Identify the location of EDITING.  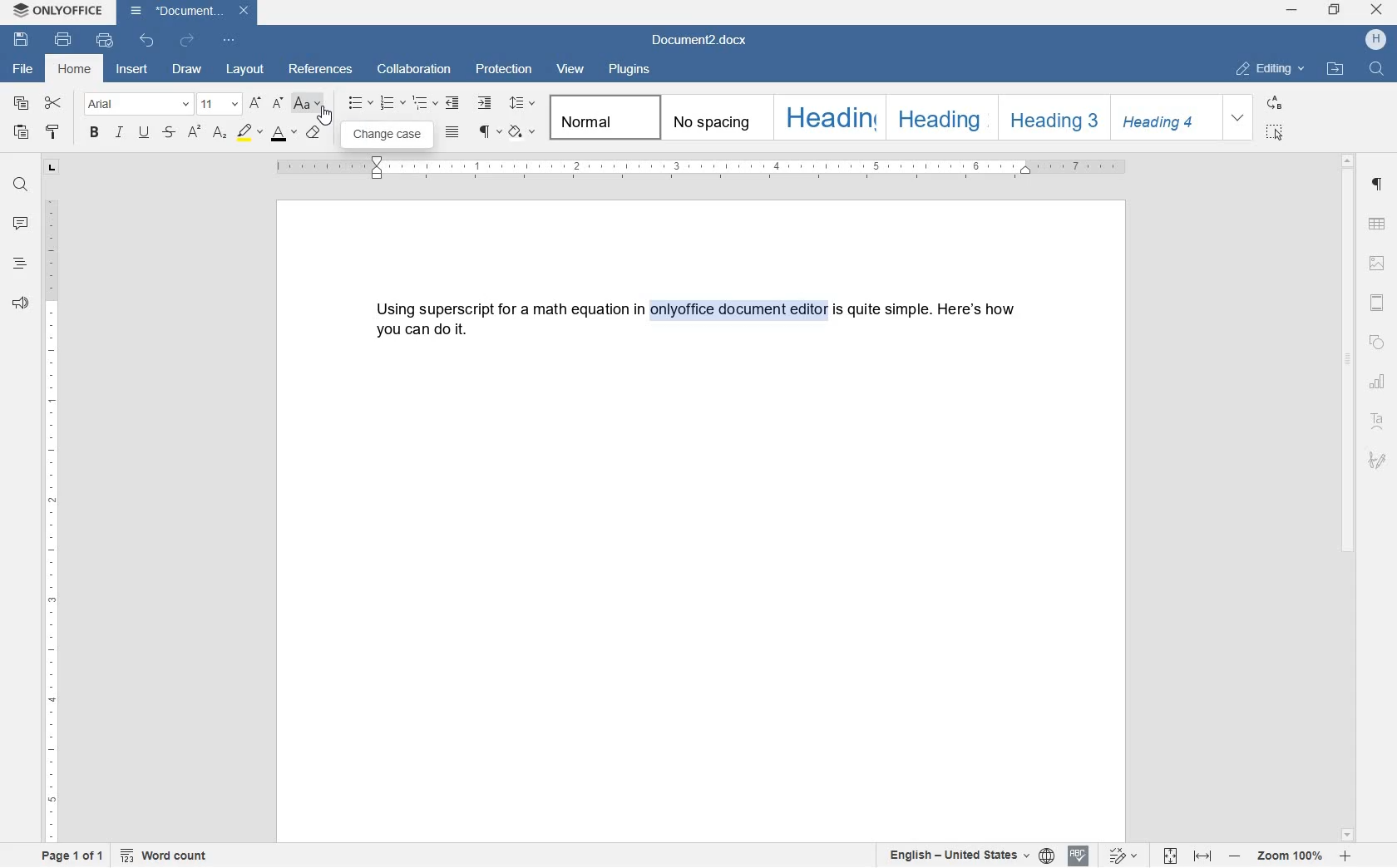
(1272, 70).